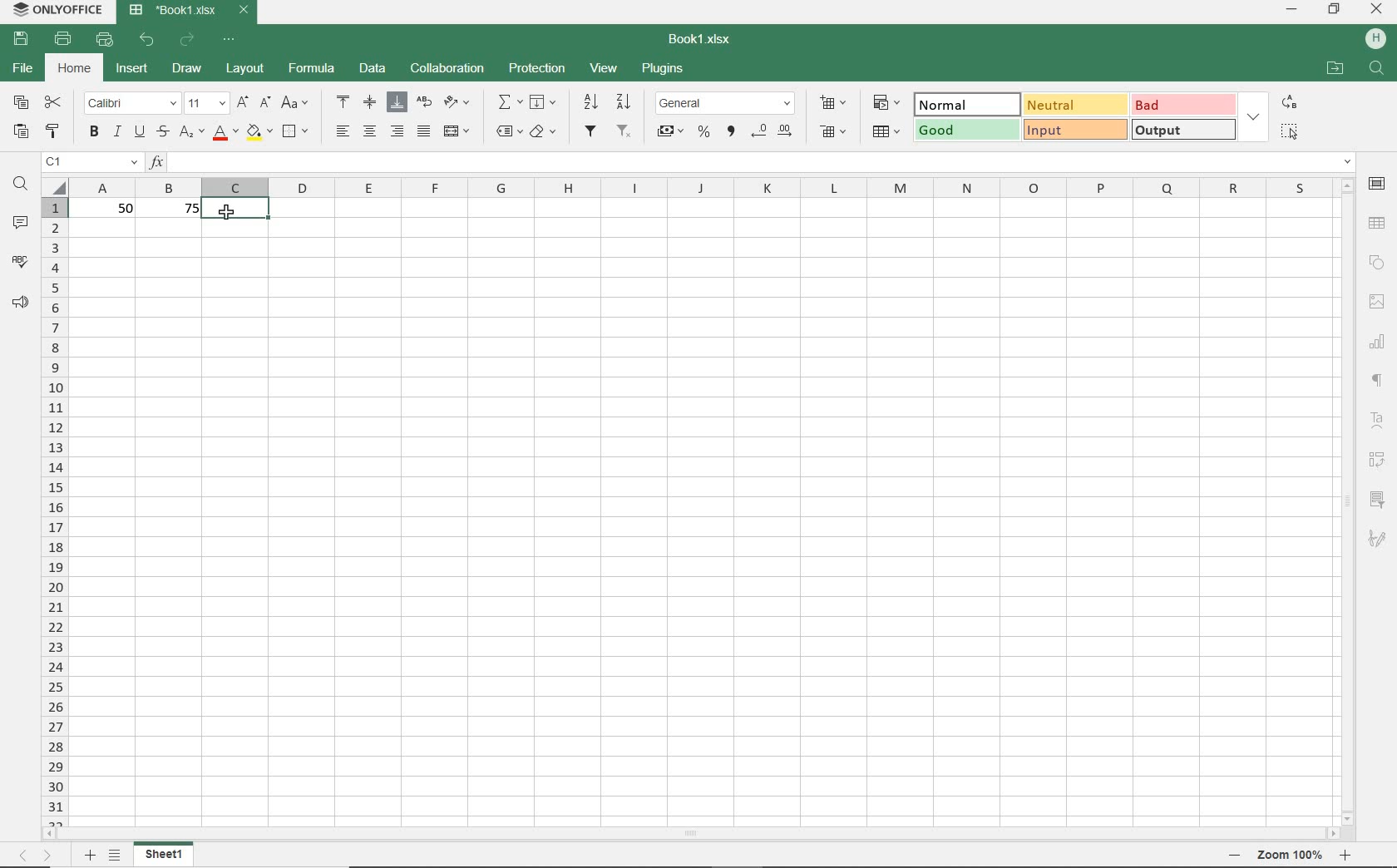 Image resolution: width=1397 pixels, height=868 pixels. Describe the element at coordinates (708, 187) in the screenshot. I see `column` at that location.